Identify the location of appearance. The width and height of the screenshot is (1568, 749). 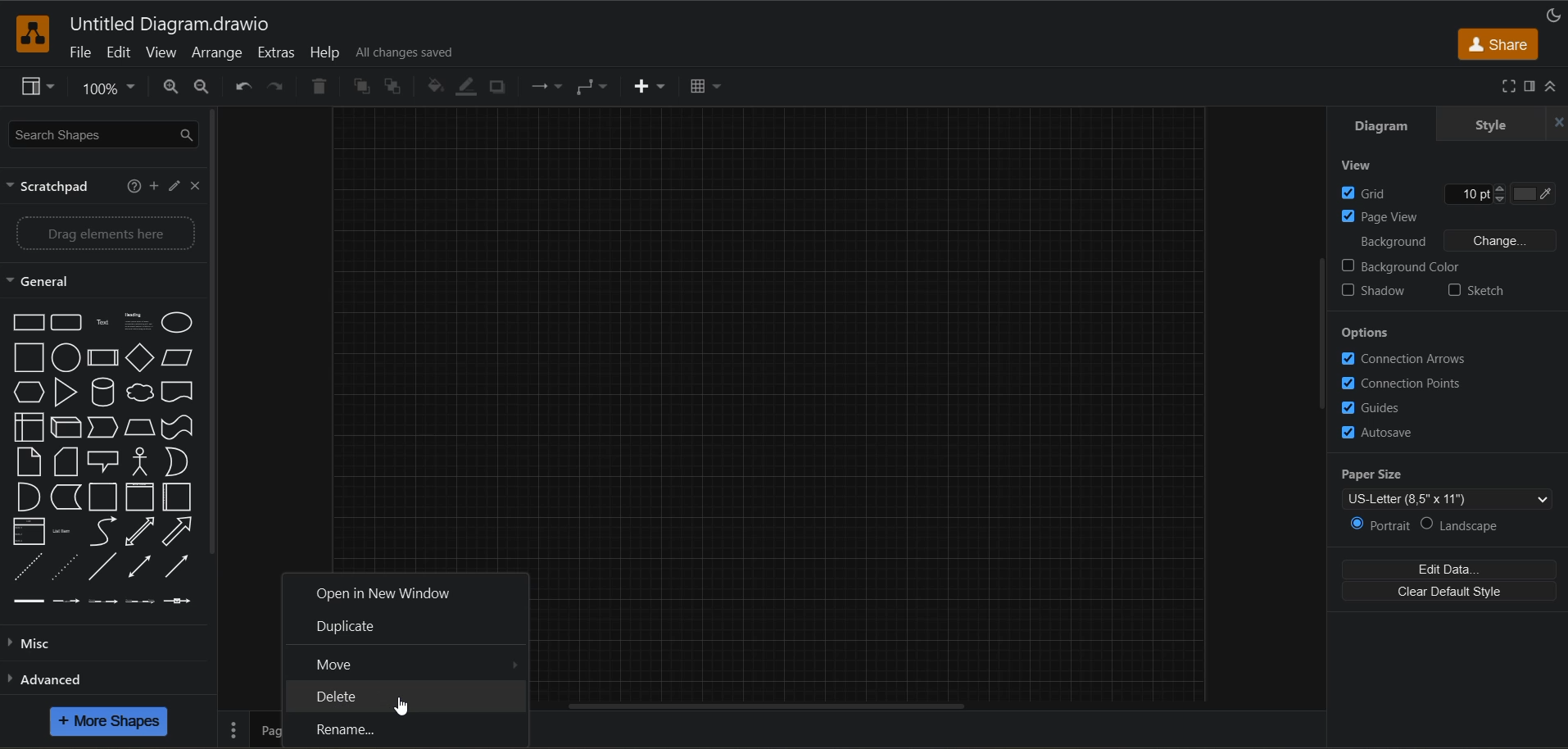
(1557, 15).